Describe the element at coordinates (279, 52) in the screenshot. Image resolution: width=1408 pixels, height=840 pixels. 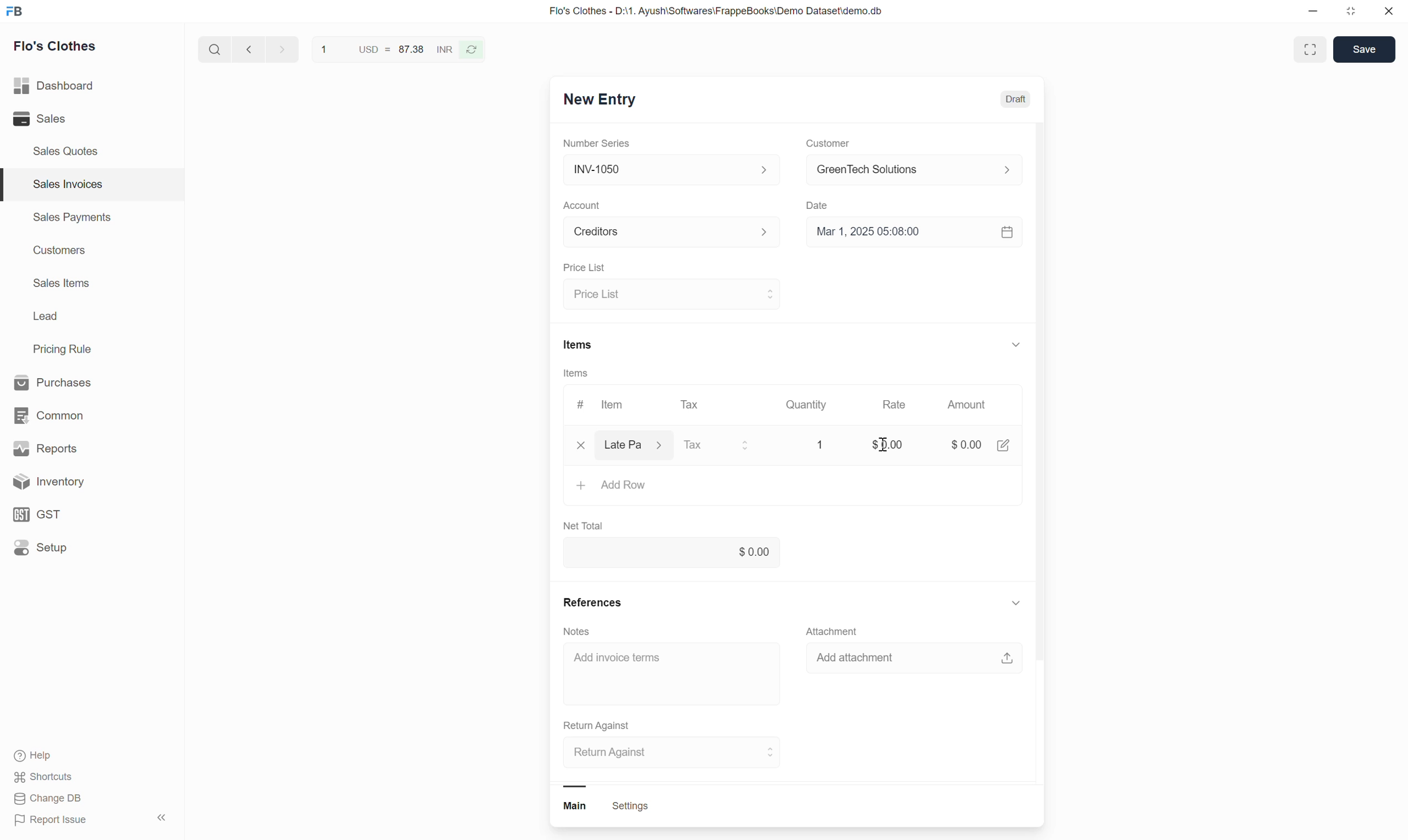
I see `go forward ` at that location.